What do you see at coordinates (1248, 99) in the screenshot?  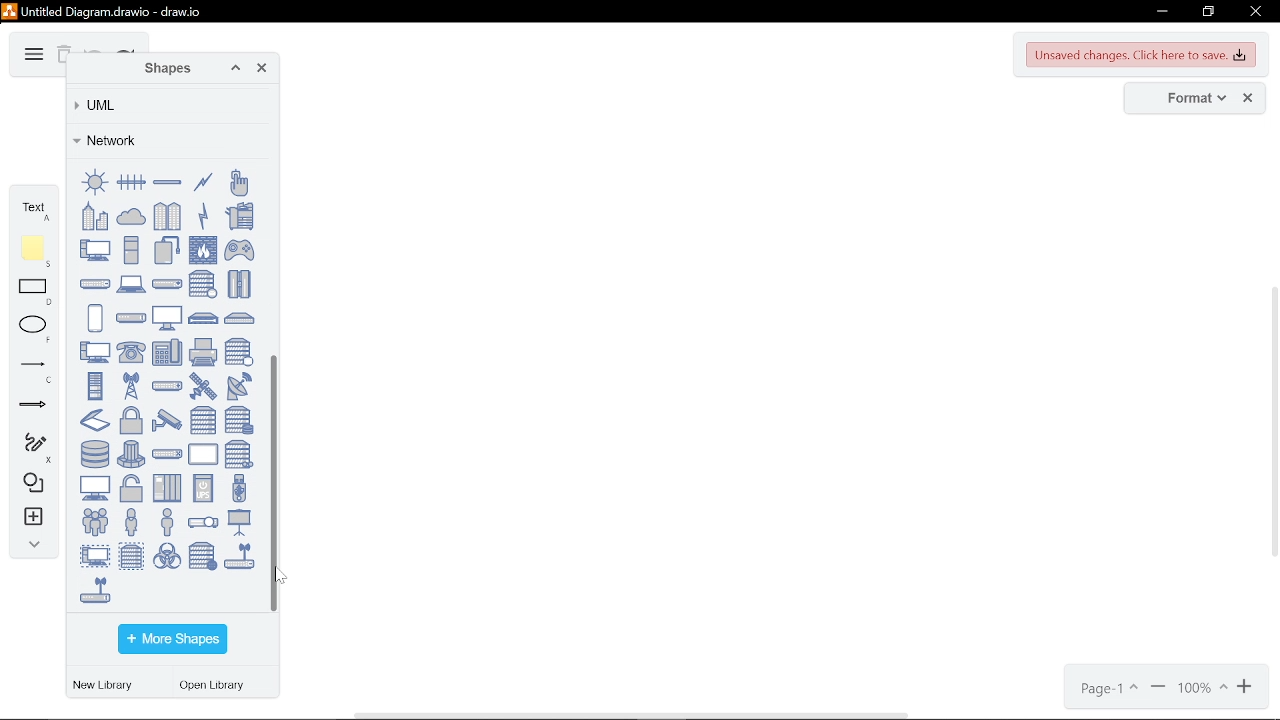 I see `close` at bounding box center [1248, 99].